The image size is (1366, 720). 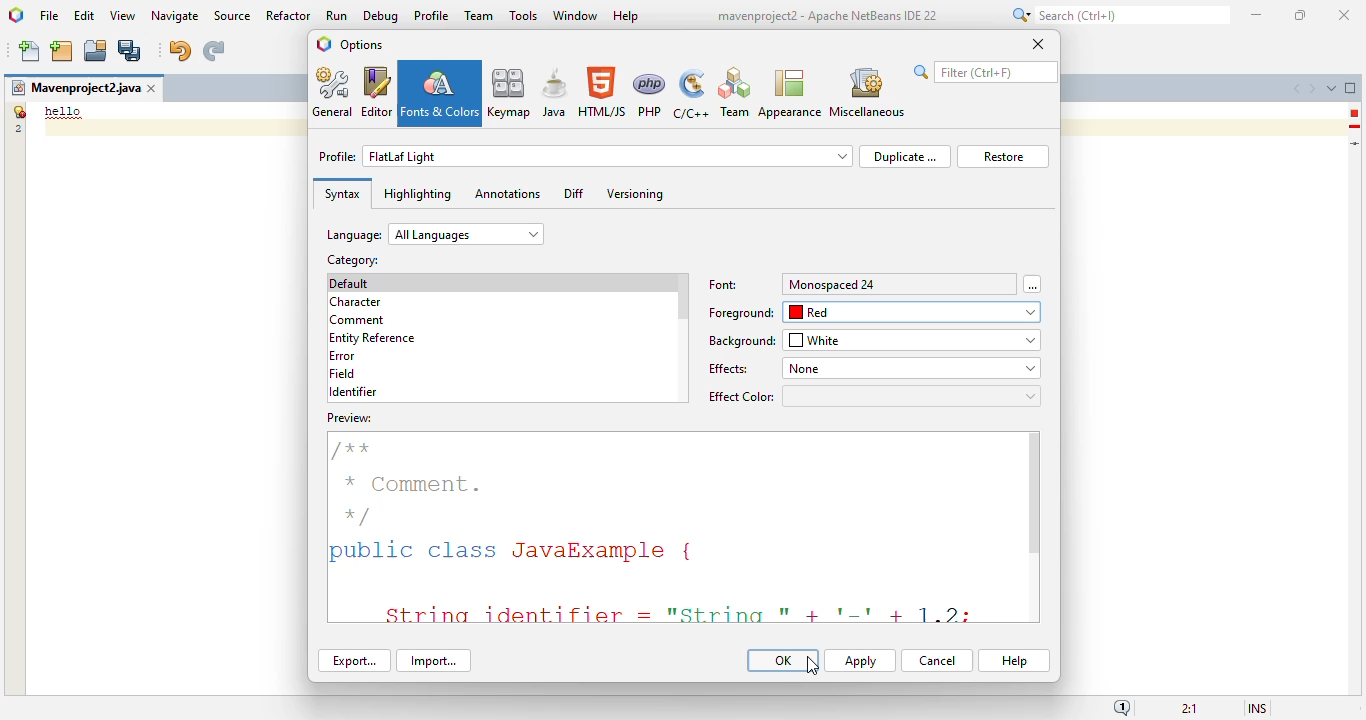 What do you see at coordinates (1118, 15) in the screenshot?
I see `search` at bounding box center [1118, 15].